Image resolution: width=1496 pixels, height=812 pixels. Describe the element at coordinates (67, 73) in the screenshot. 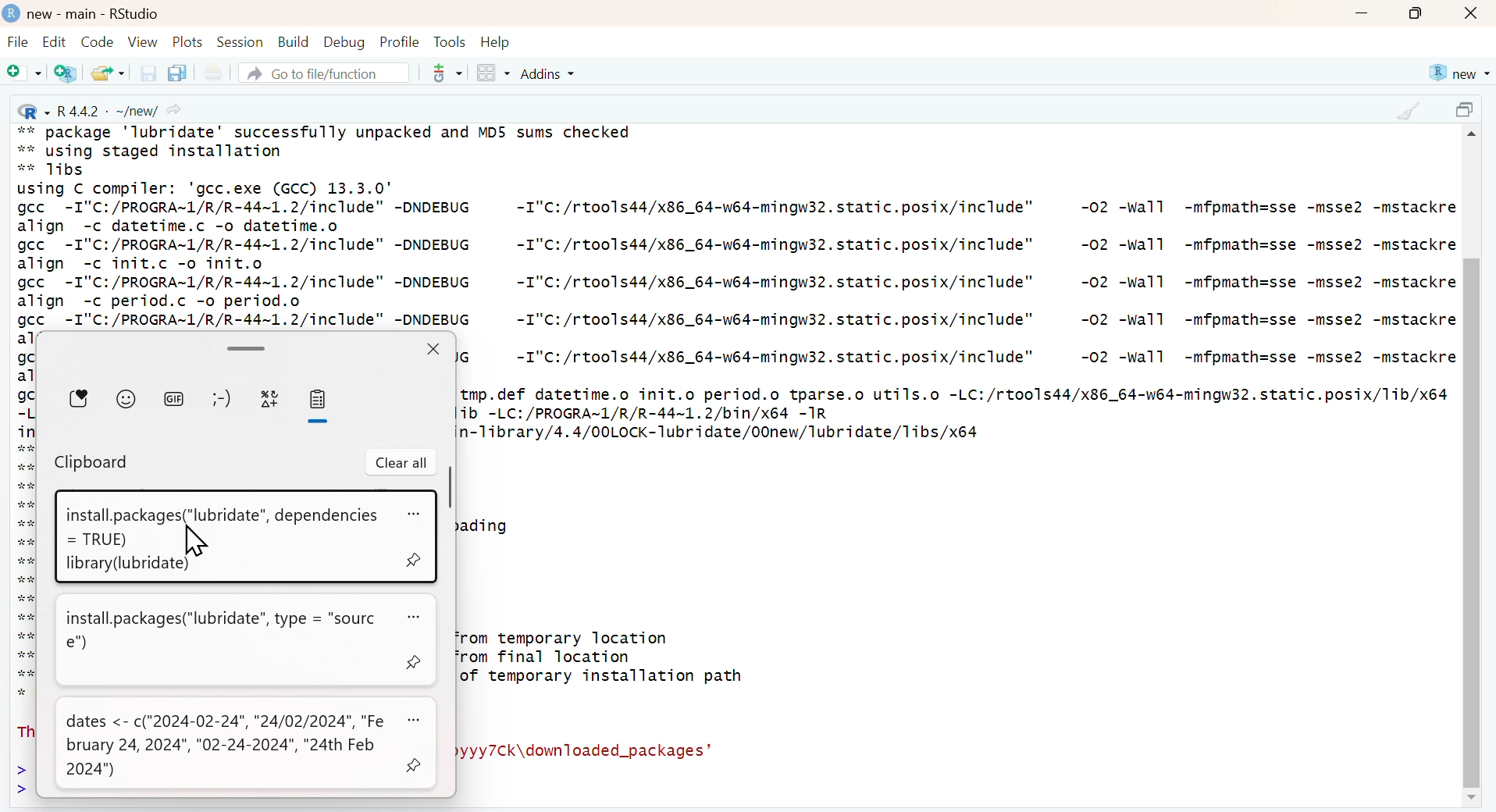

I see `Create a project` at that location.